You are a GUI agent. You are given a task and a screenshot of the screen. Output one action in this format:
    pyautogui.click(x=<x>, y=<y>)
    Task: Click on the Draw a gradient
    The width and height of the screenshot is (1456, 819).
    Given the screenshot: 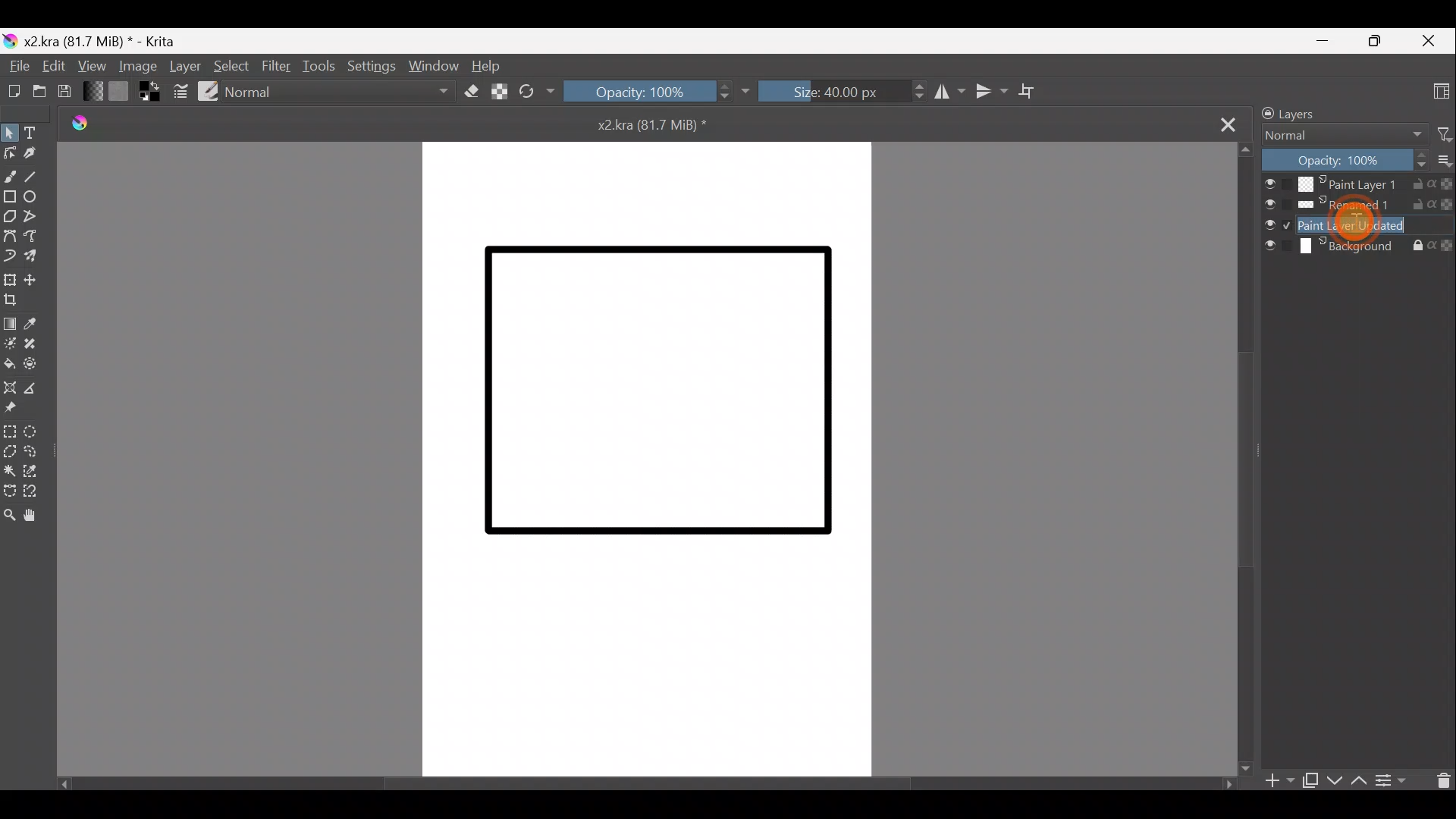 What is the action you would take?
    pyautogui.click(x=9, y=325)
    